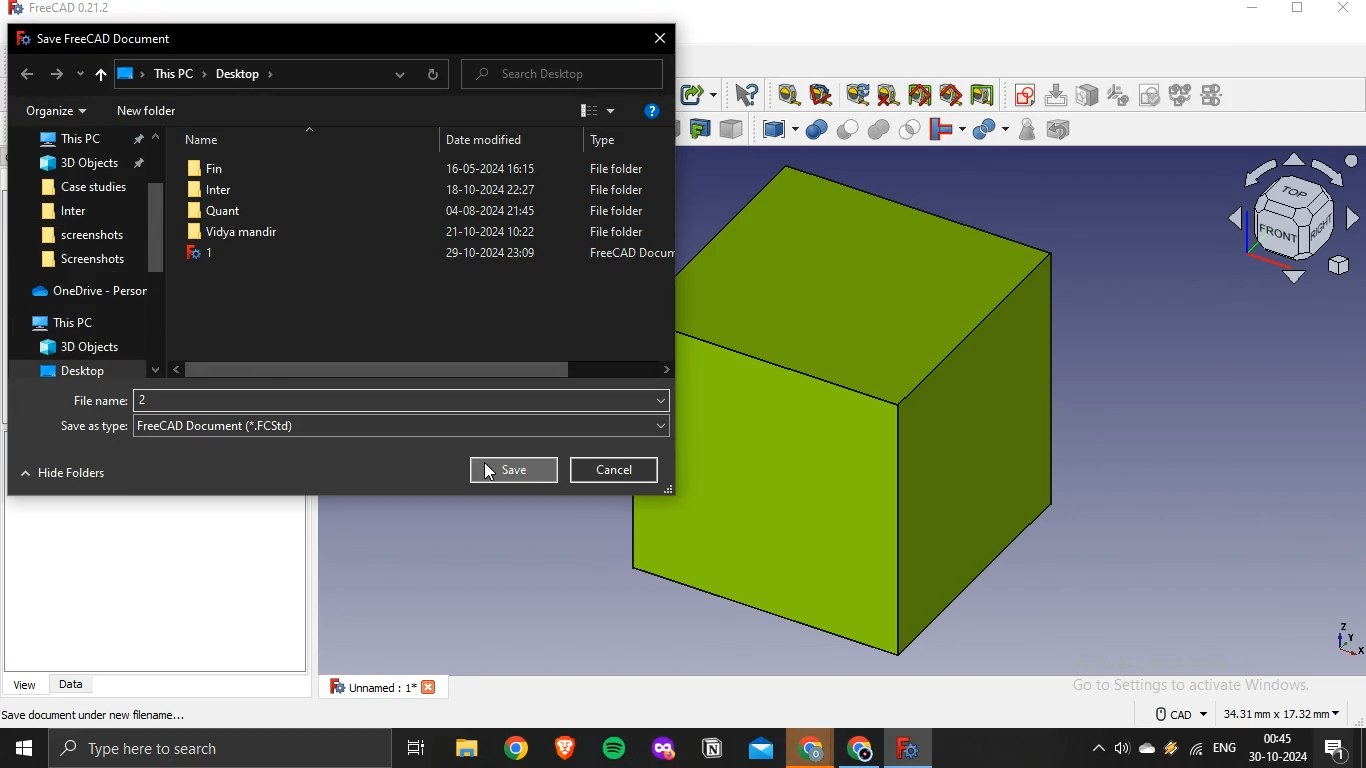 The width and height of the screenshot is (1366, 768). Describe the element at coordinates (488, 477) in the screenshot. I see `cursor` at that location.